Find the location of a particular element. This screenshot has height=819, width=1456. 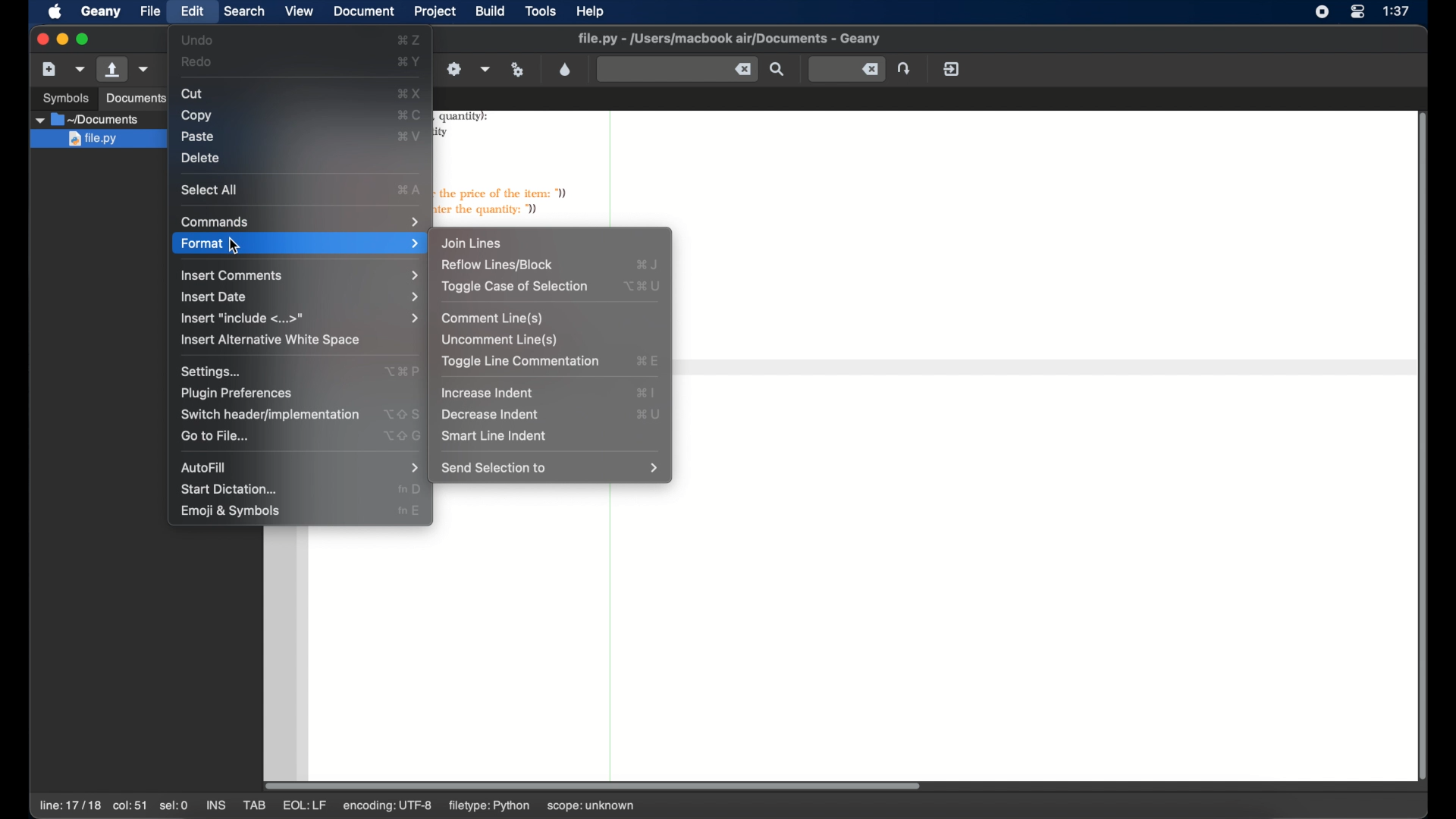

create file from template is located at coordinates (80, 69).